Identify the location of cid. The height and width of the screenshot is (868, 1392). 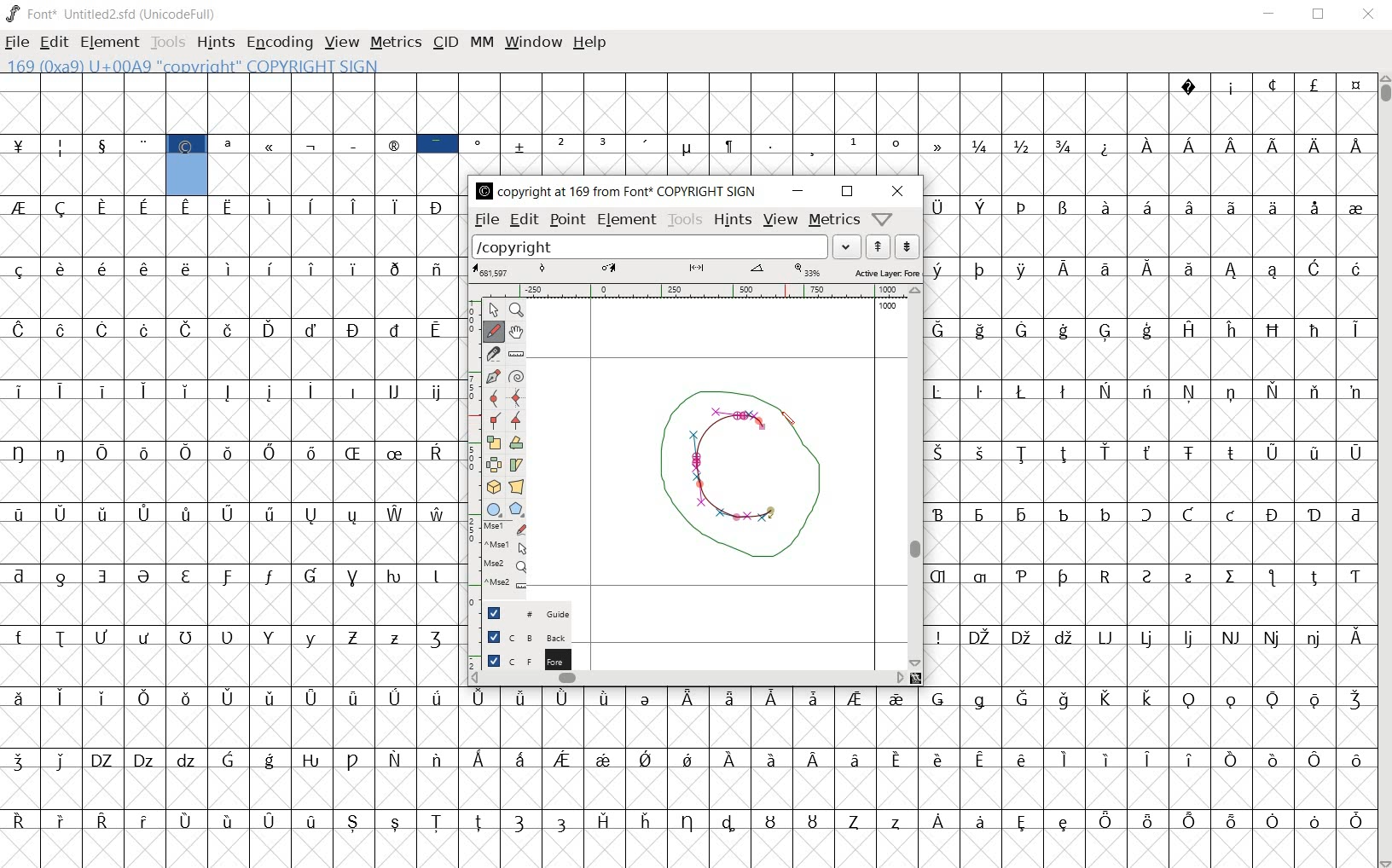
(444, 43).